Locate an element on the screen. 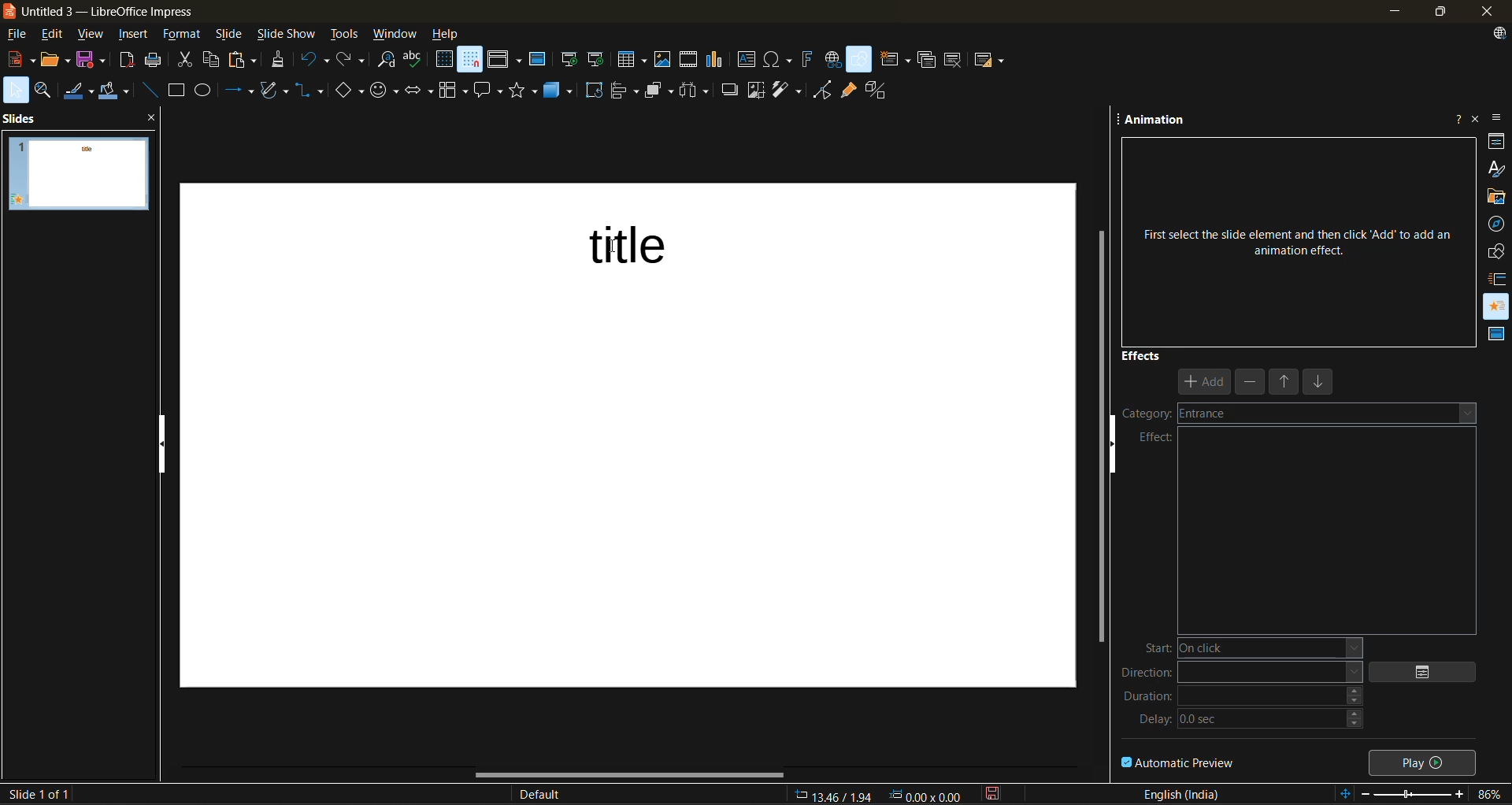 This screenshot has width=1512, height=805. animation is located at coordinates (1157, 122).